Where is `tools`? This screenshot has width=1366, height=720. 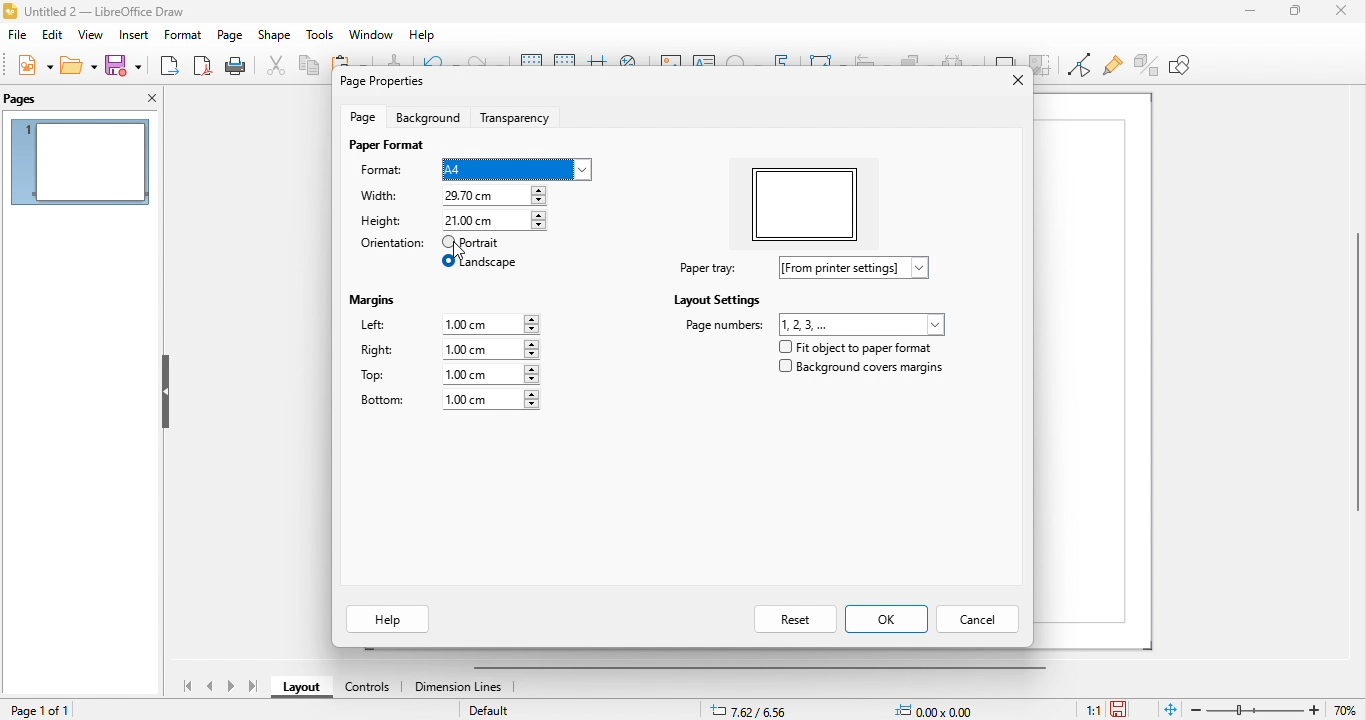 tools is located at coordinates (320, 36).